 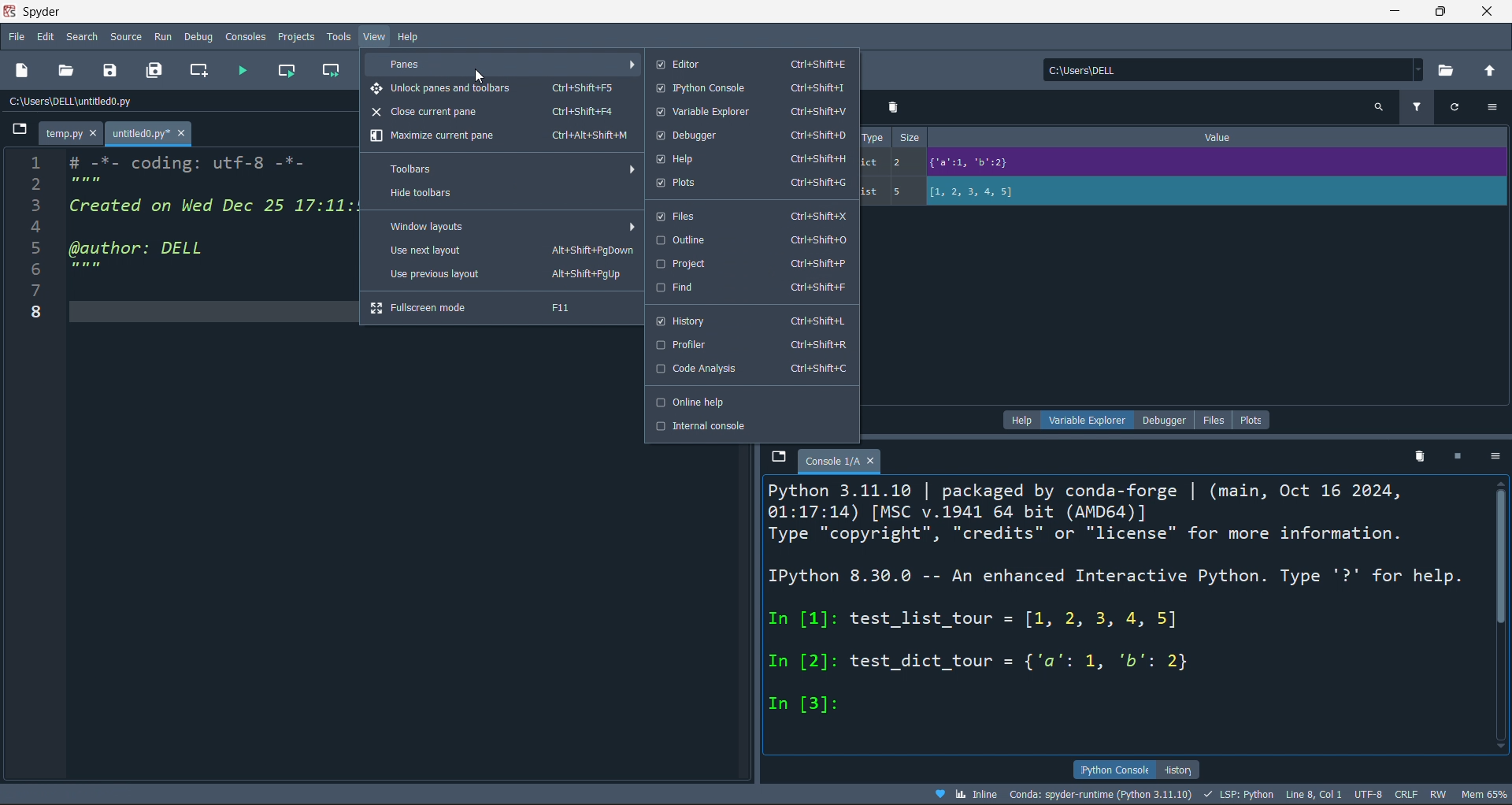 I want to click on internal console, so click(x=748, y=428).